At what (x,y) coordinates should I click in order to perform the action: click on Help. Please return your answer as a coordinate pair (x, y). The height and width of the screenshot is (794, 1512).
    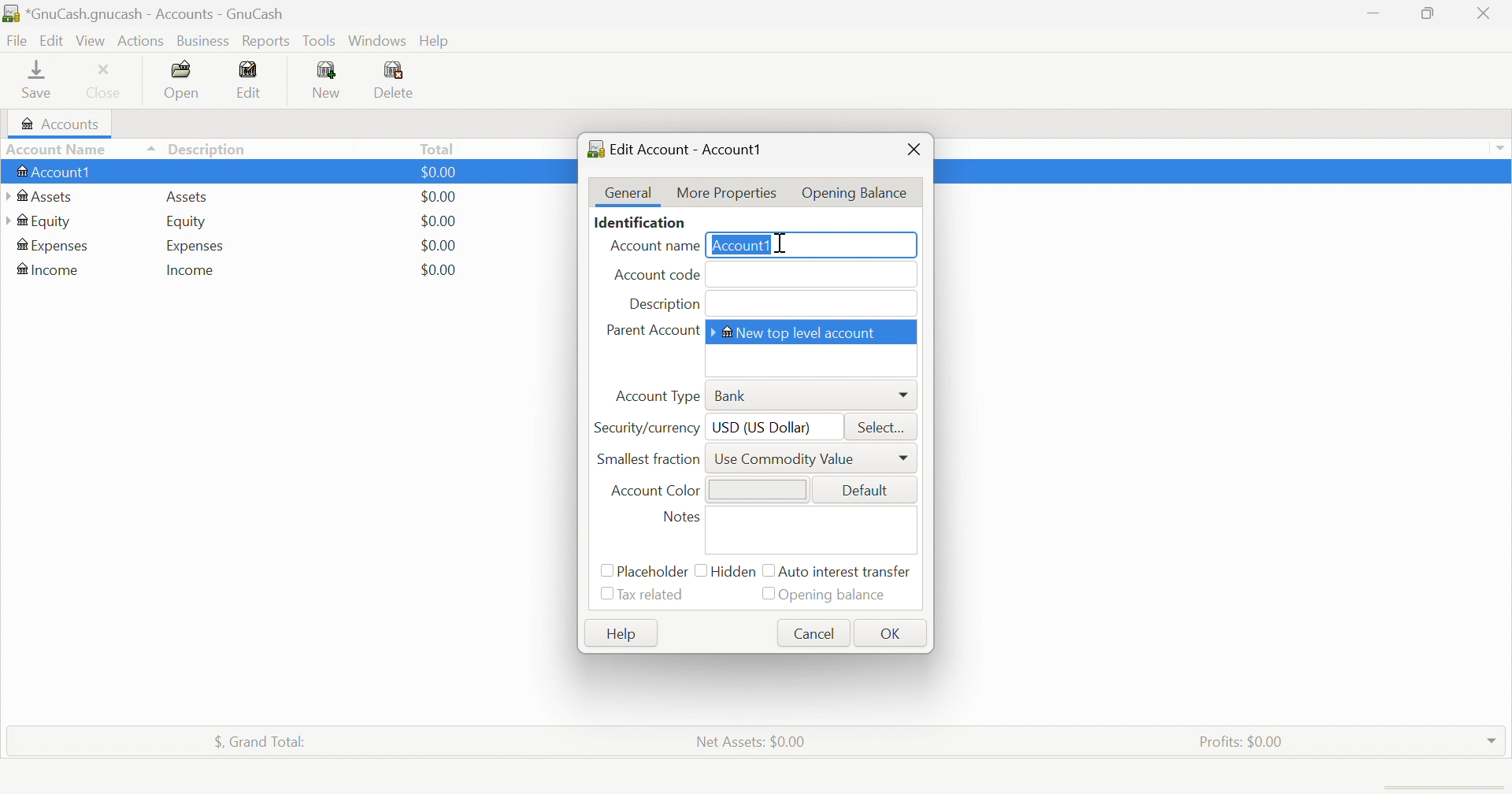
    Looking at the image, I should click on (624, 636).